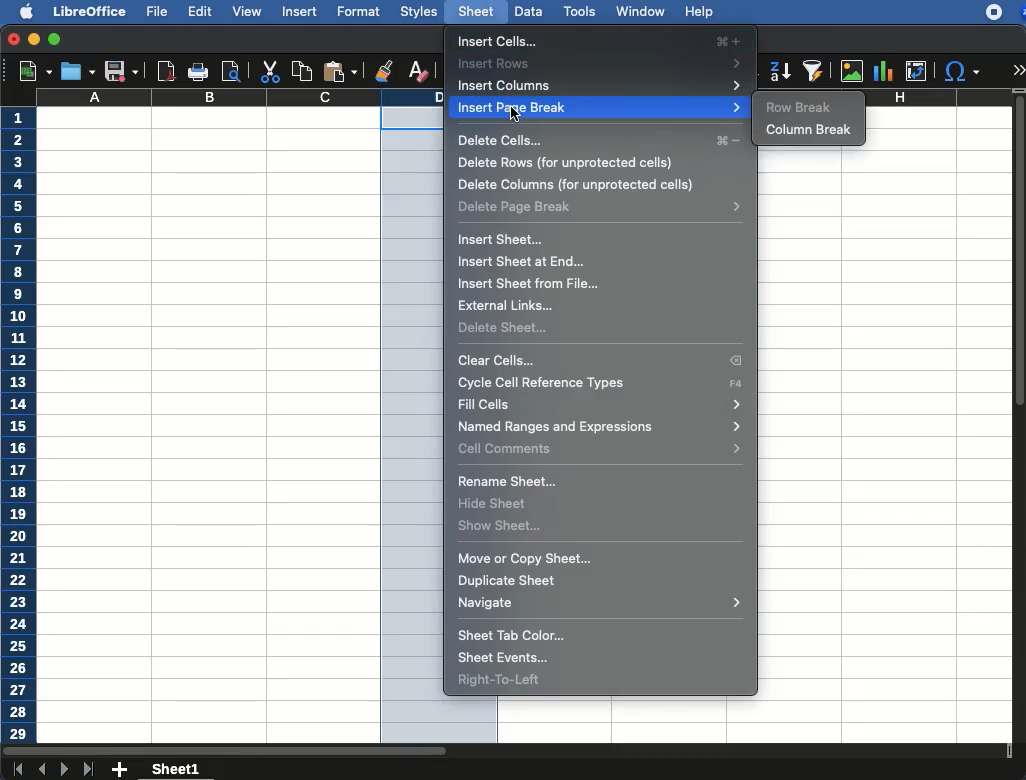 This screenshot has height=780, width=1026. I want to click on apple, so click(20, 12).